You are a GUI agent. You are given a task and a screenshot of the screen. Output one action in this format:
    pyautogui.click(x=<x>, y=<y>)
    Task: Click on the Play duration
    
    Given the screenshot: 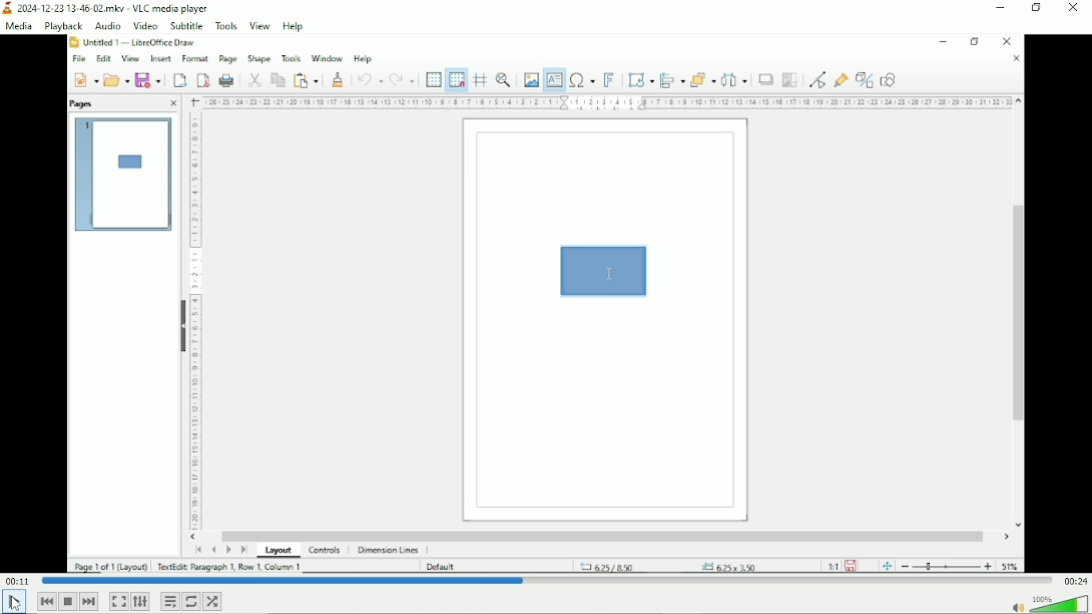 What is the action you would take?
    pyautogui.click(x=547, y=580)
    